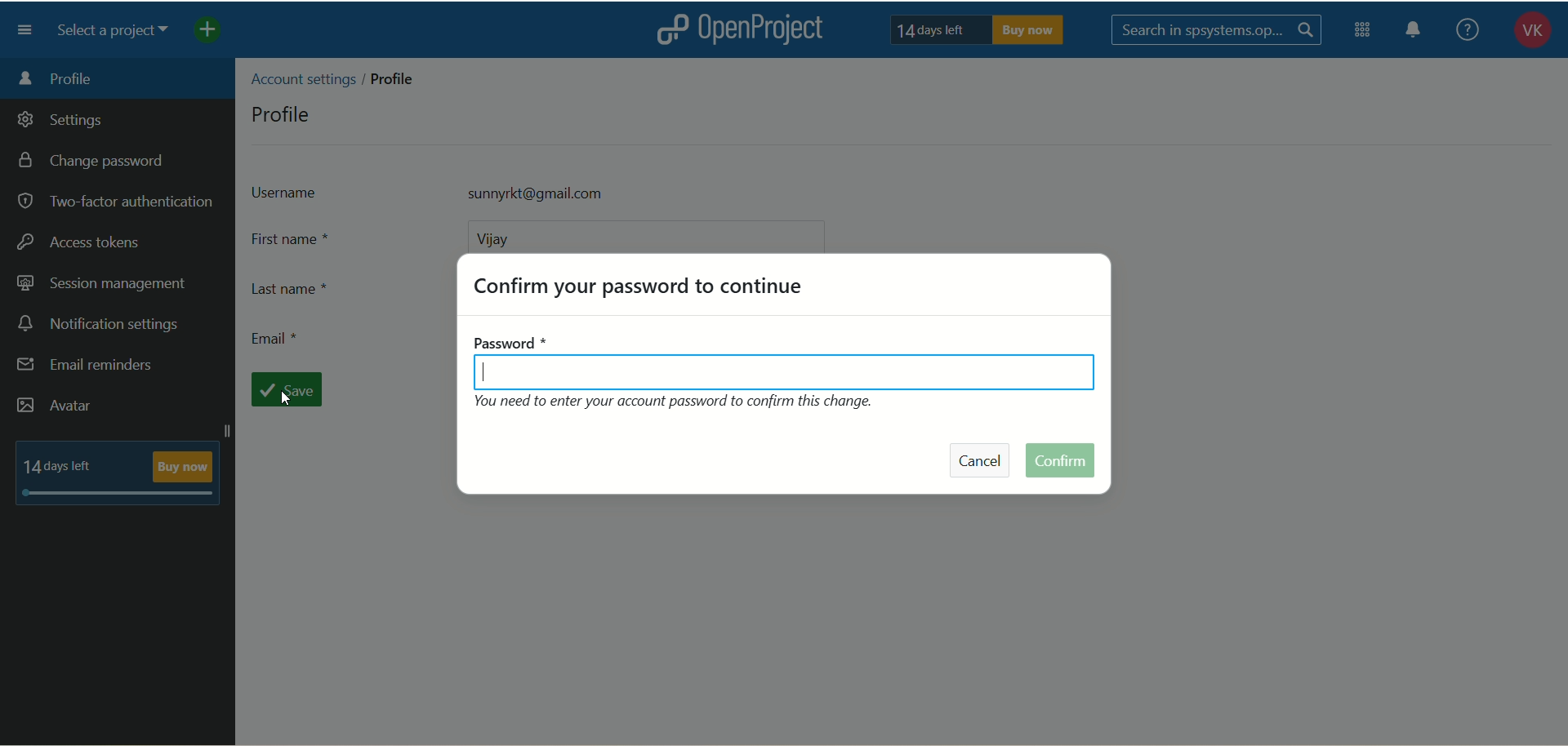  Describe the element at coordinates (102, 285) in the screenshot. I see `session management` at that location.